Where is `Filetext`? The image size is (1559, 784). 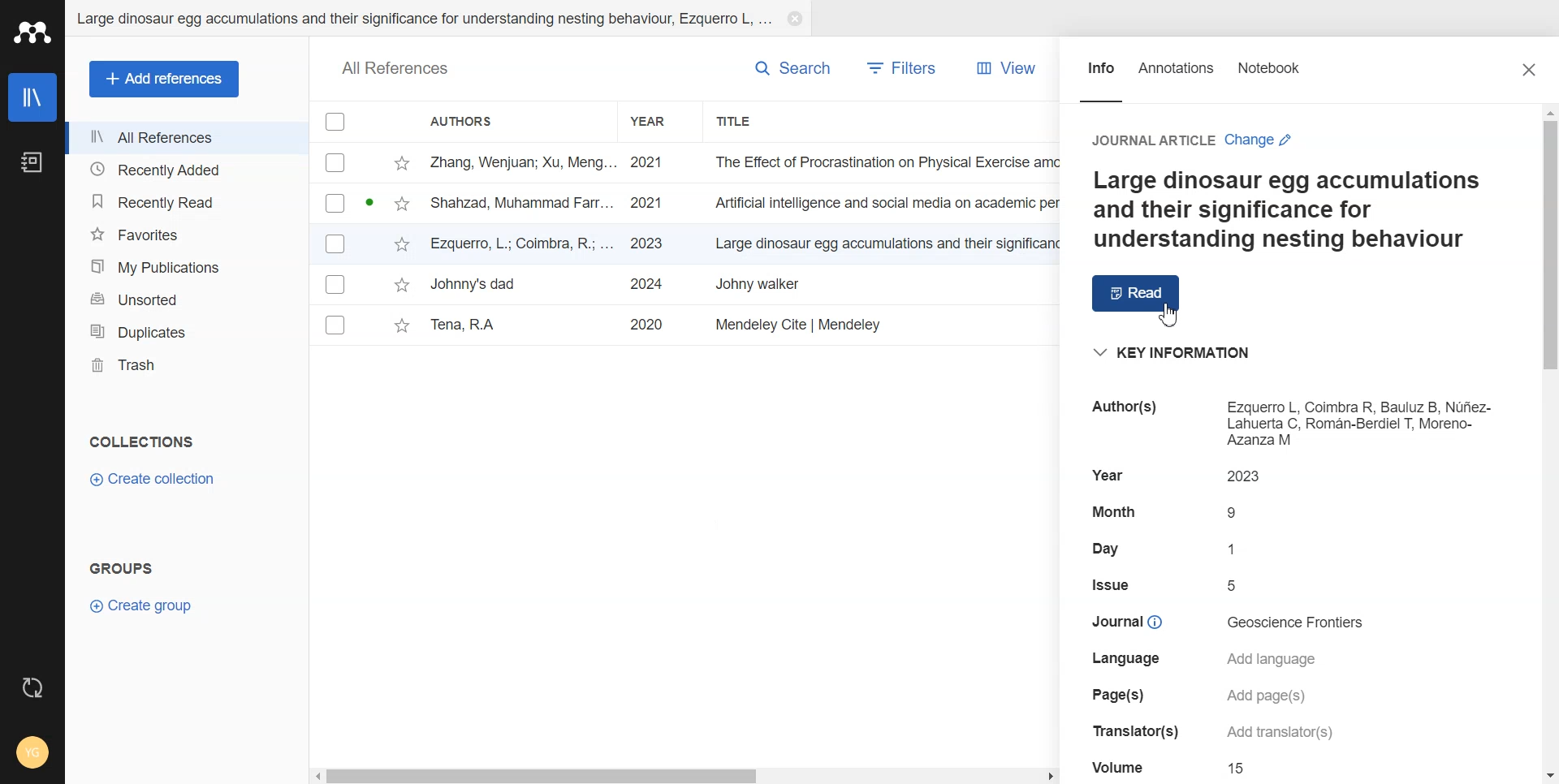 Filetext is located at coordinates (1120, 765).